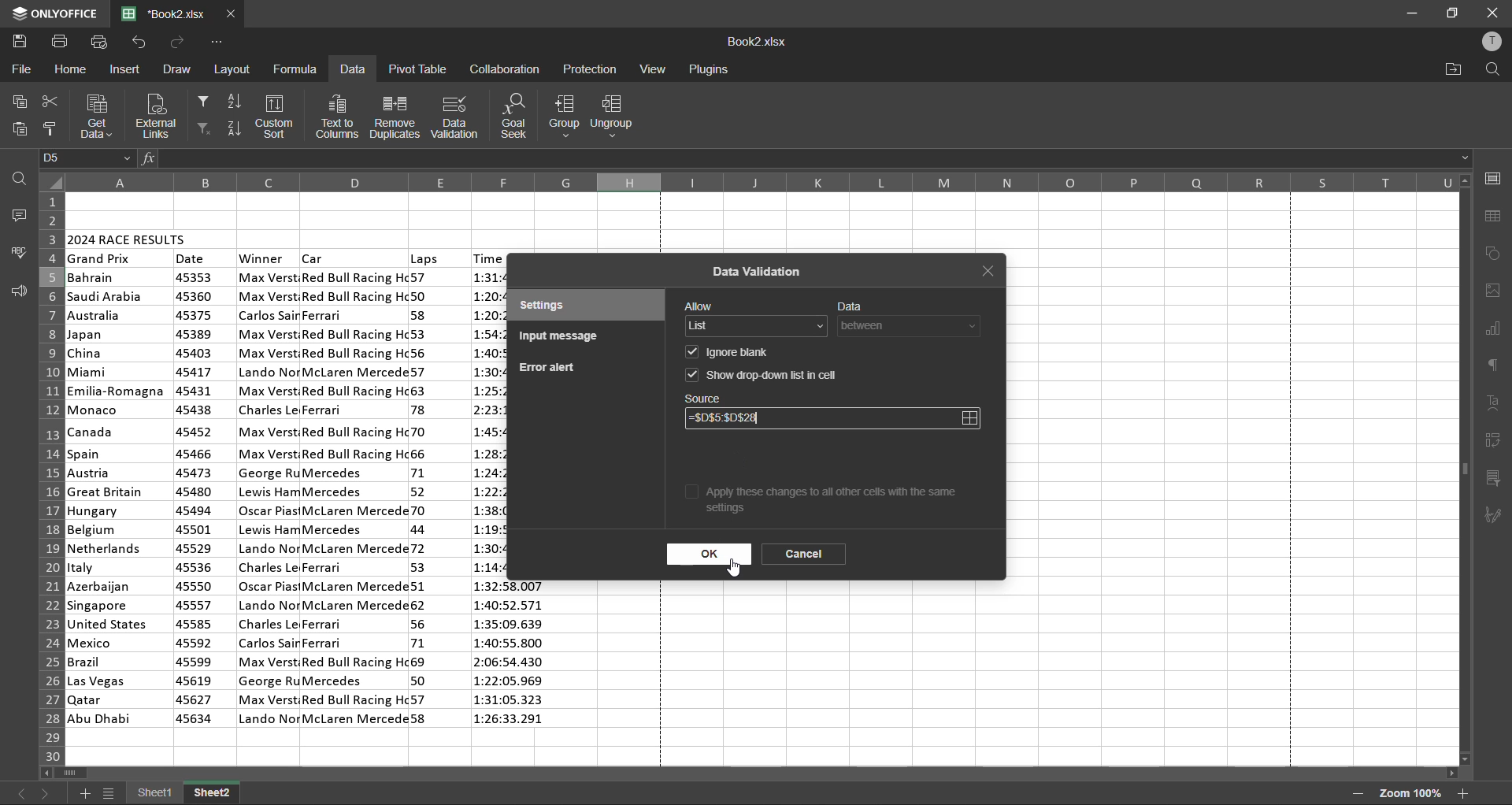 Image resolution: width=1512 pixels, height=805 pixels. What do you see at coordinates (762, 182) in the screenshot?
I see `column names` at bounding box center [762, 182].